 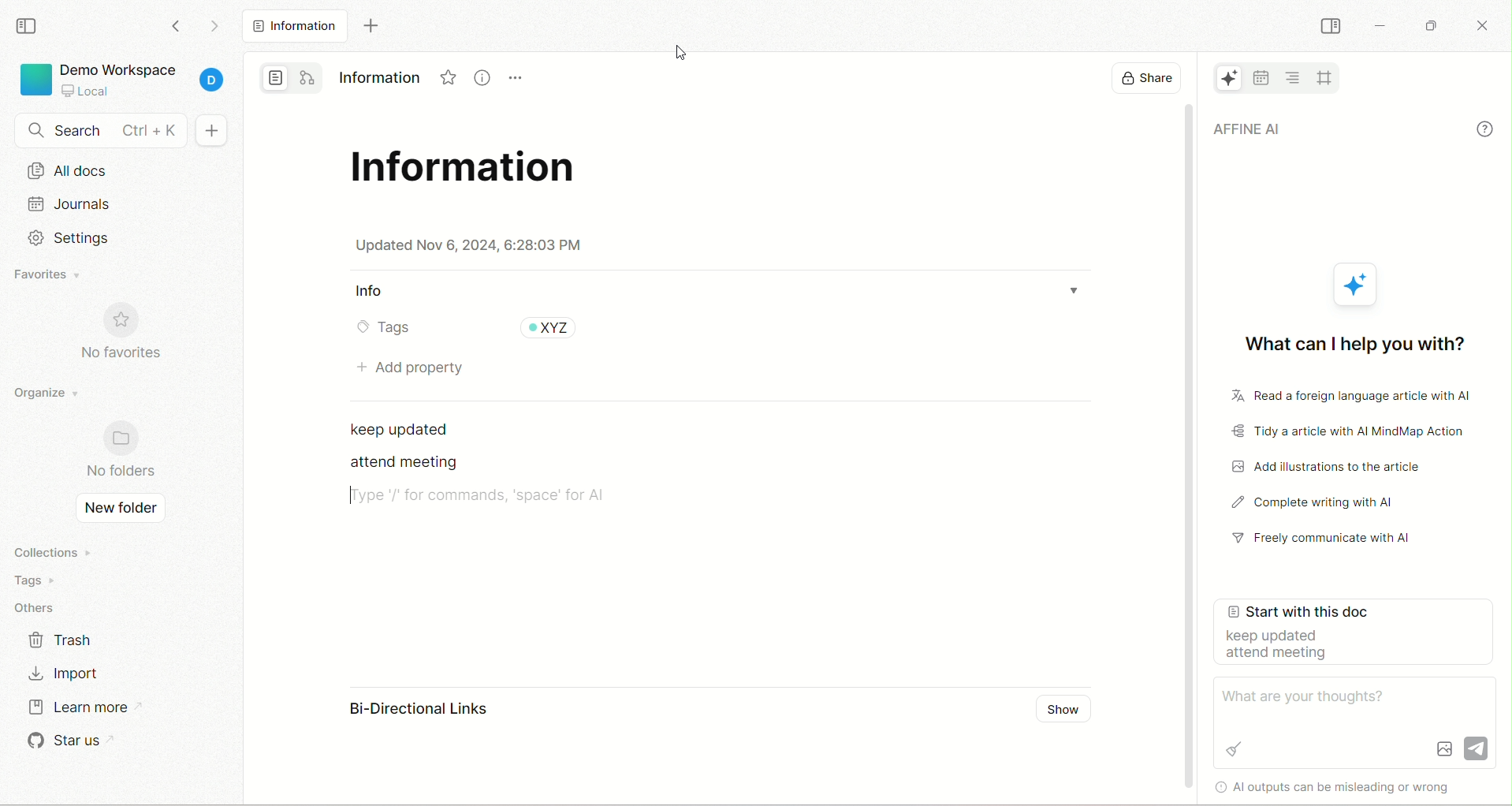 I want to click on add illustrations to the article, so click(x=1335, y=467).